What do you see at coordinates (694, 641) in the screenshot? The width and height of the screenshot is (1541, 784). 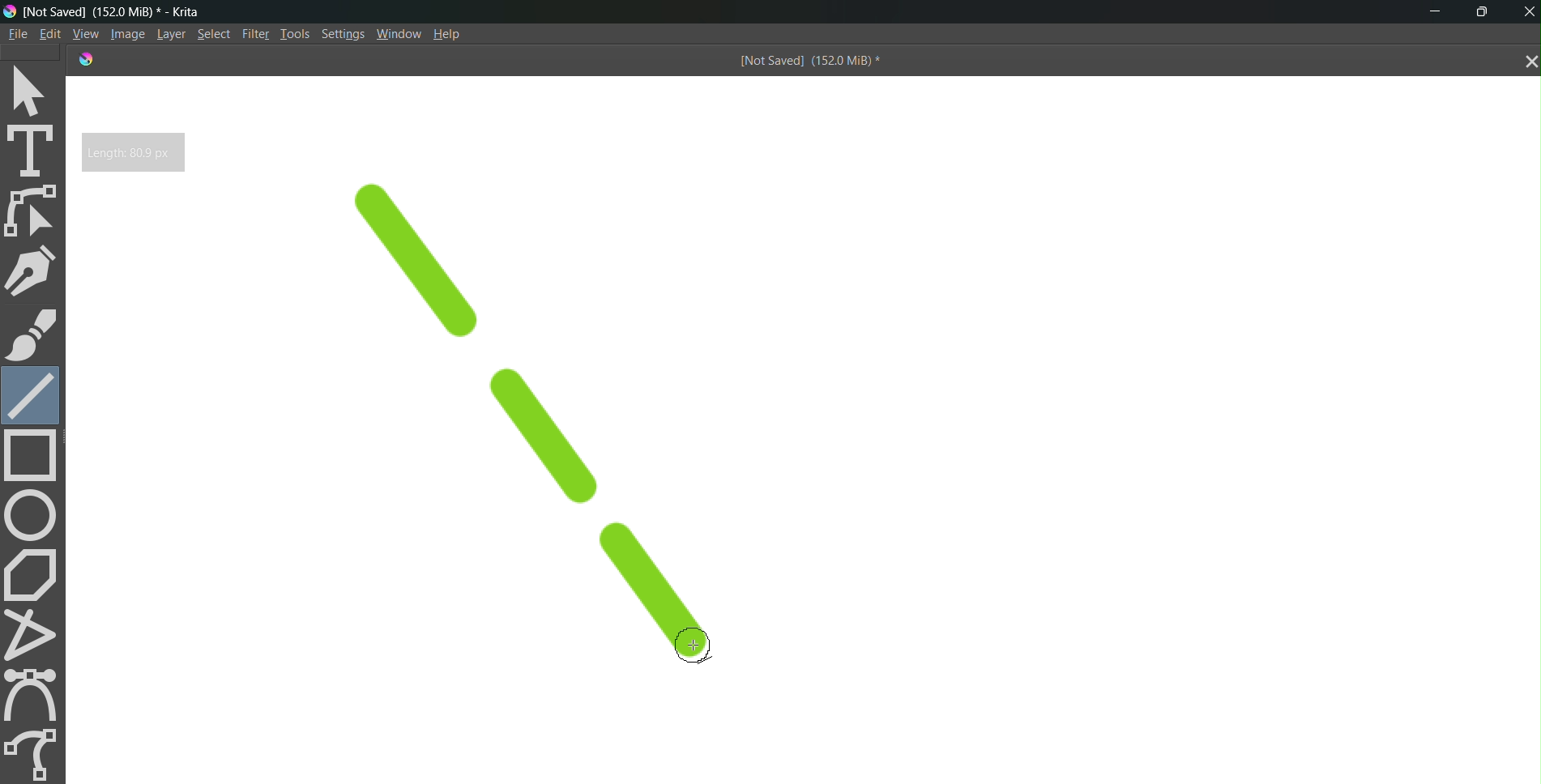 I see `cursor` at bounding box center [694, 641].